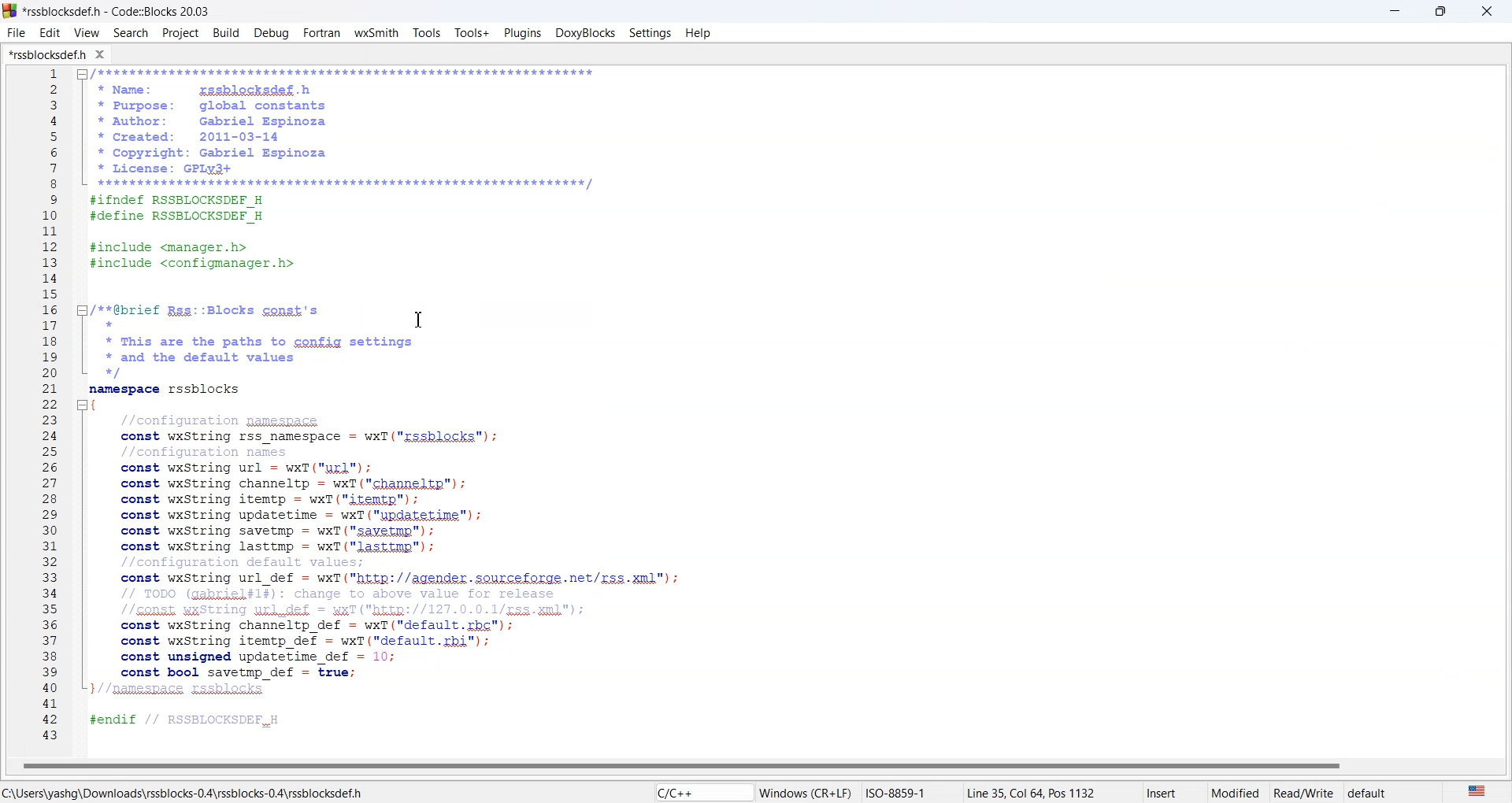 The image size is (1512, 803). I want to click on Edit, so click(50, 33).